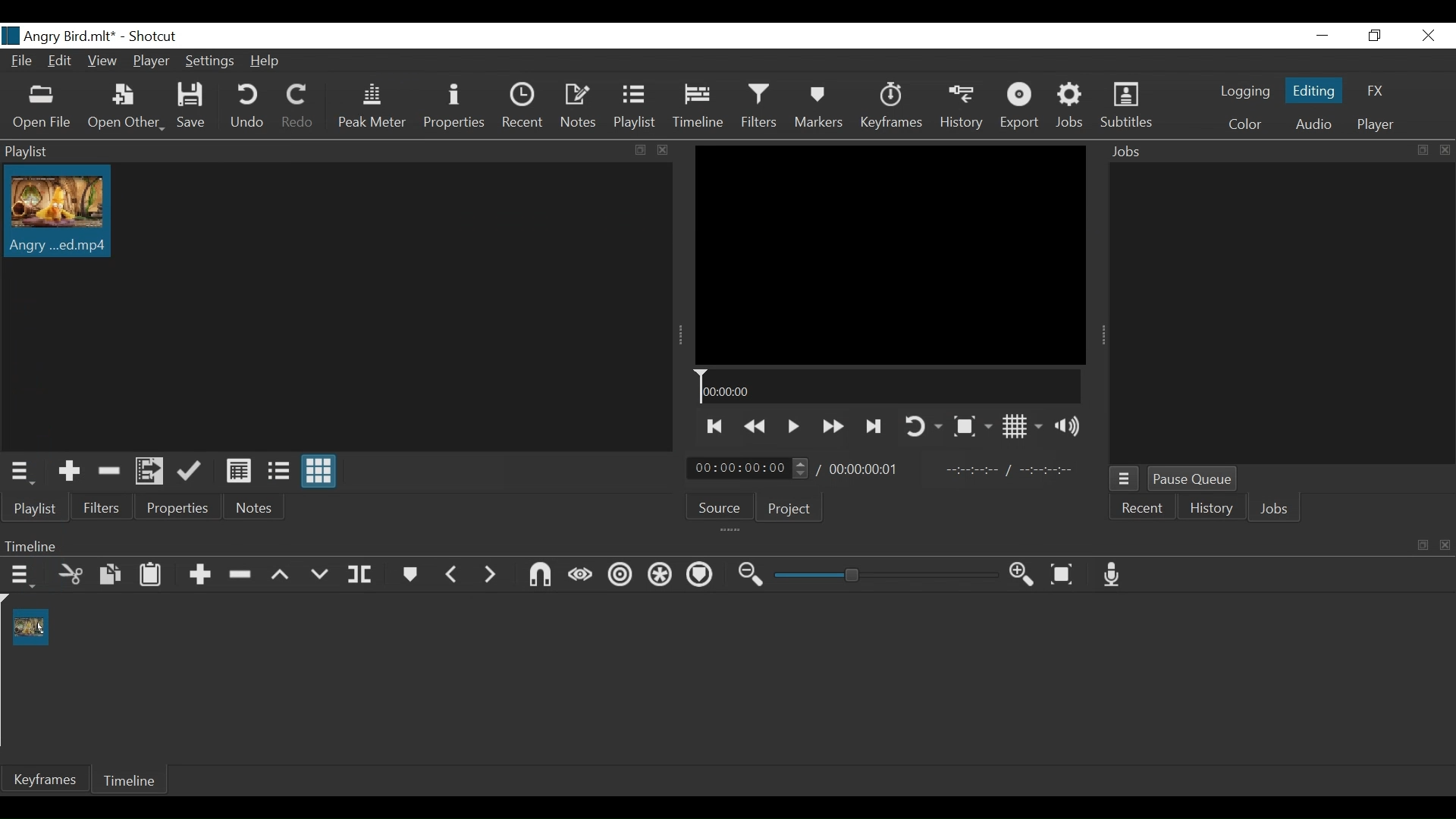 Image resolution: width=1456 pixels, height=819 pixels. Describe the element at coordinates (409, 574) in the screenshot. I see `markers` at that location.